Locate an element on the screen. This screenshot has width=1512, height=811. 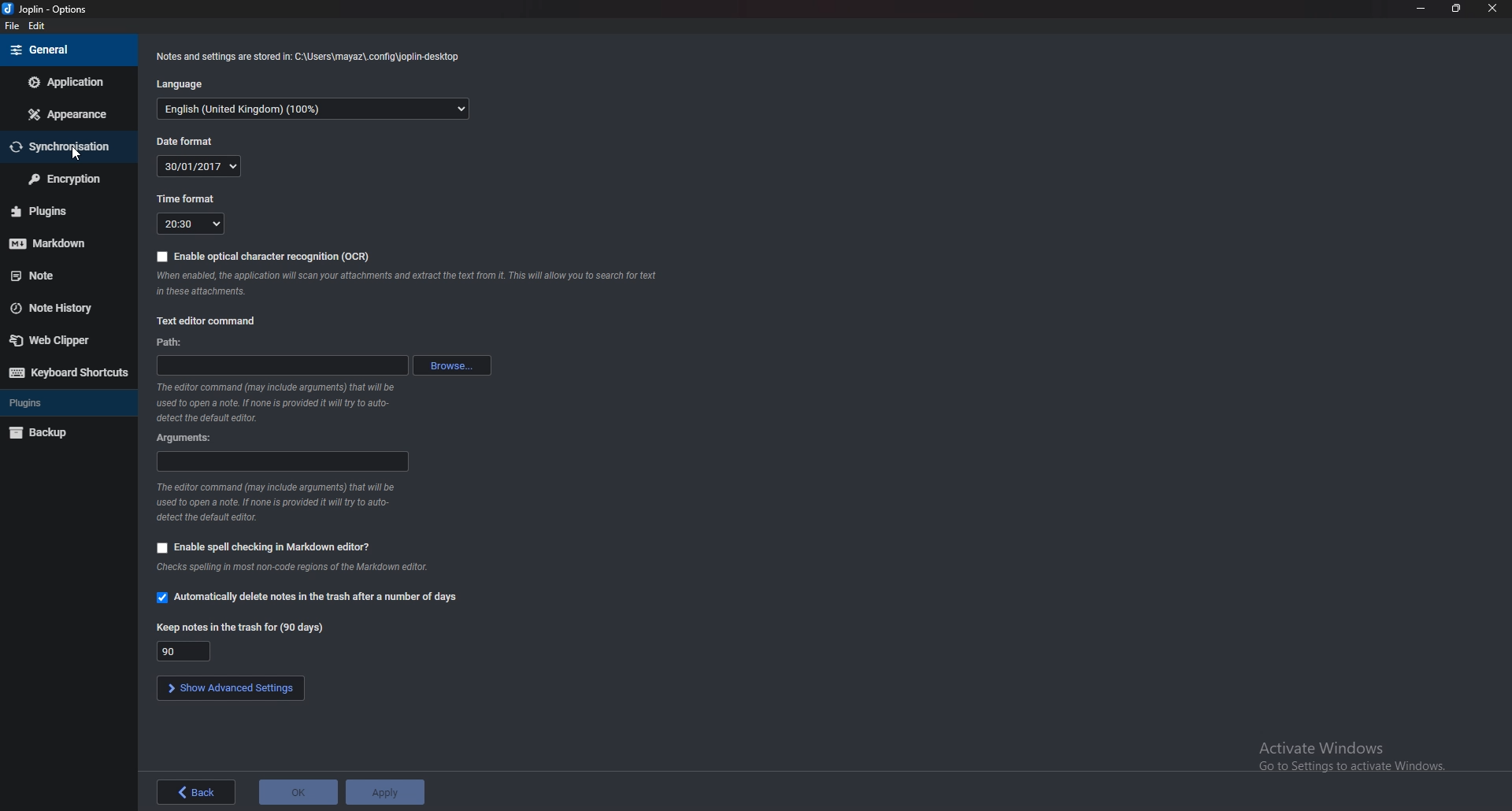
language is located at coordinates (313, 109).